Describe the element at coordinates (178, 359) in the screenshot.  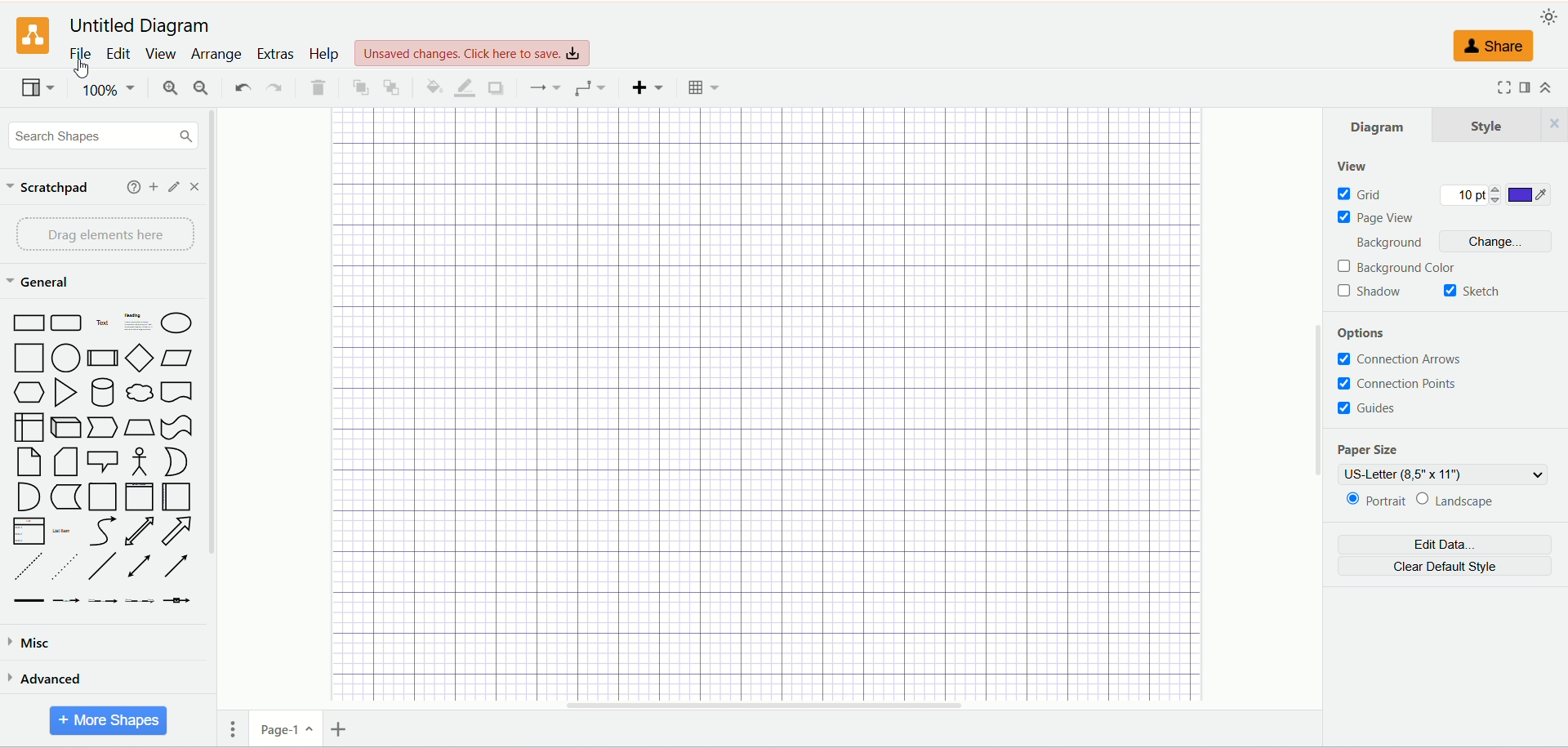
I see `Parallelogram` at that location.